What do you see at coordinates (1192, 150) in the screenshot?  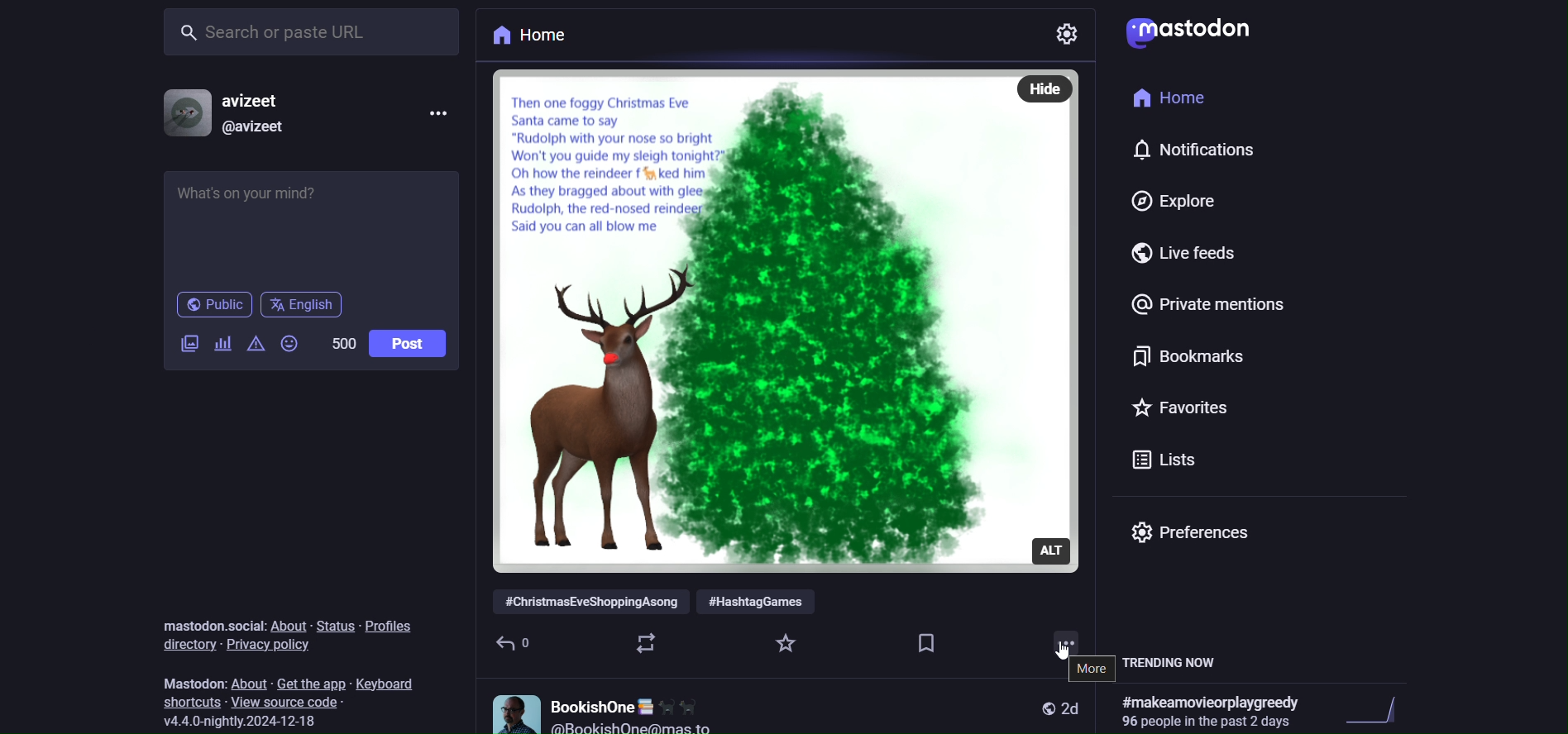 I see `notification` at bounding box center [1192, 150].